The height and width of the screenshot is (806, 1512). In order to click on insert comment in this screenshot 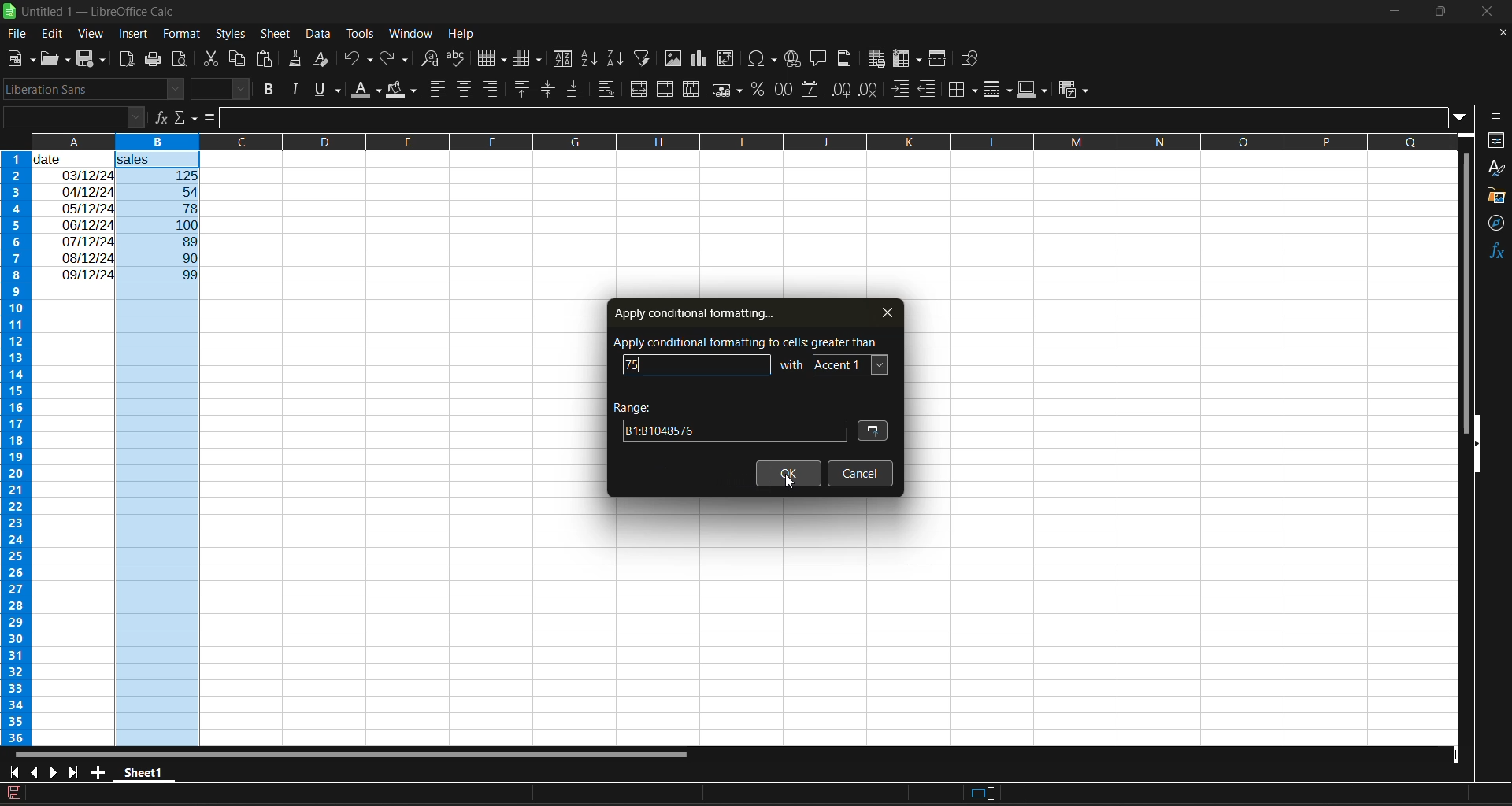, I will do `click(820, 59)`.